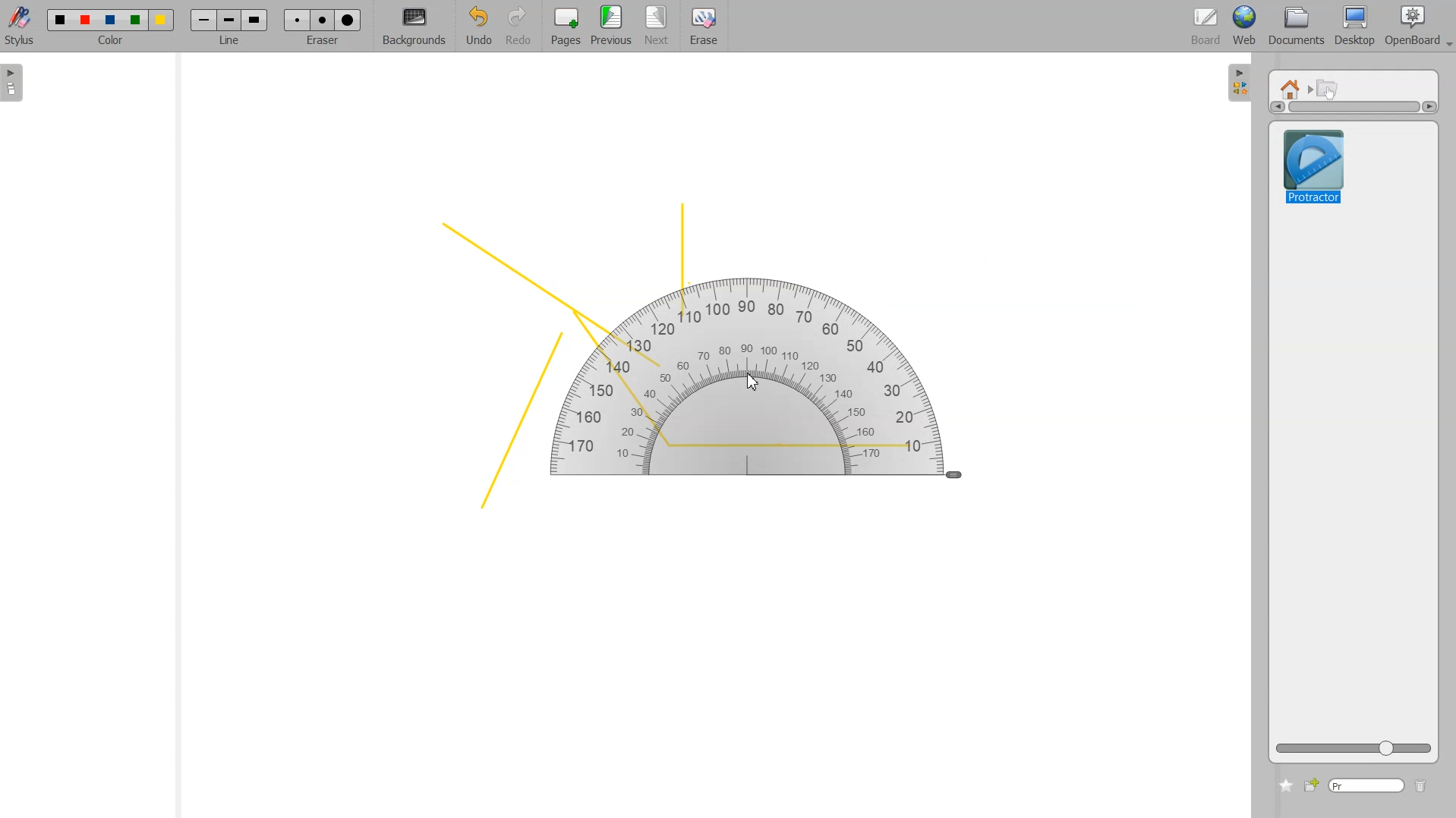  I want to click on Interactive, so click(1328, 88).